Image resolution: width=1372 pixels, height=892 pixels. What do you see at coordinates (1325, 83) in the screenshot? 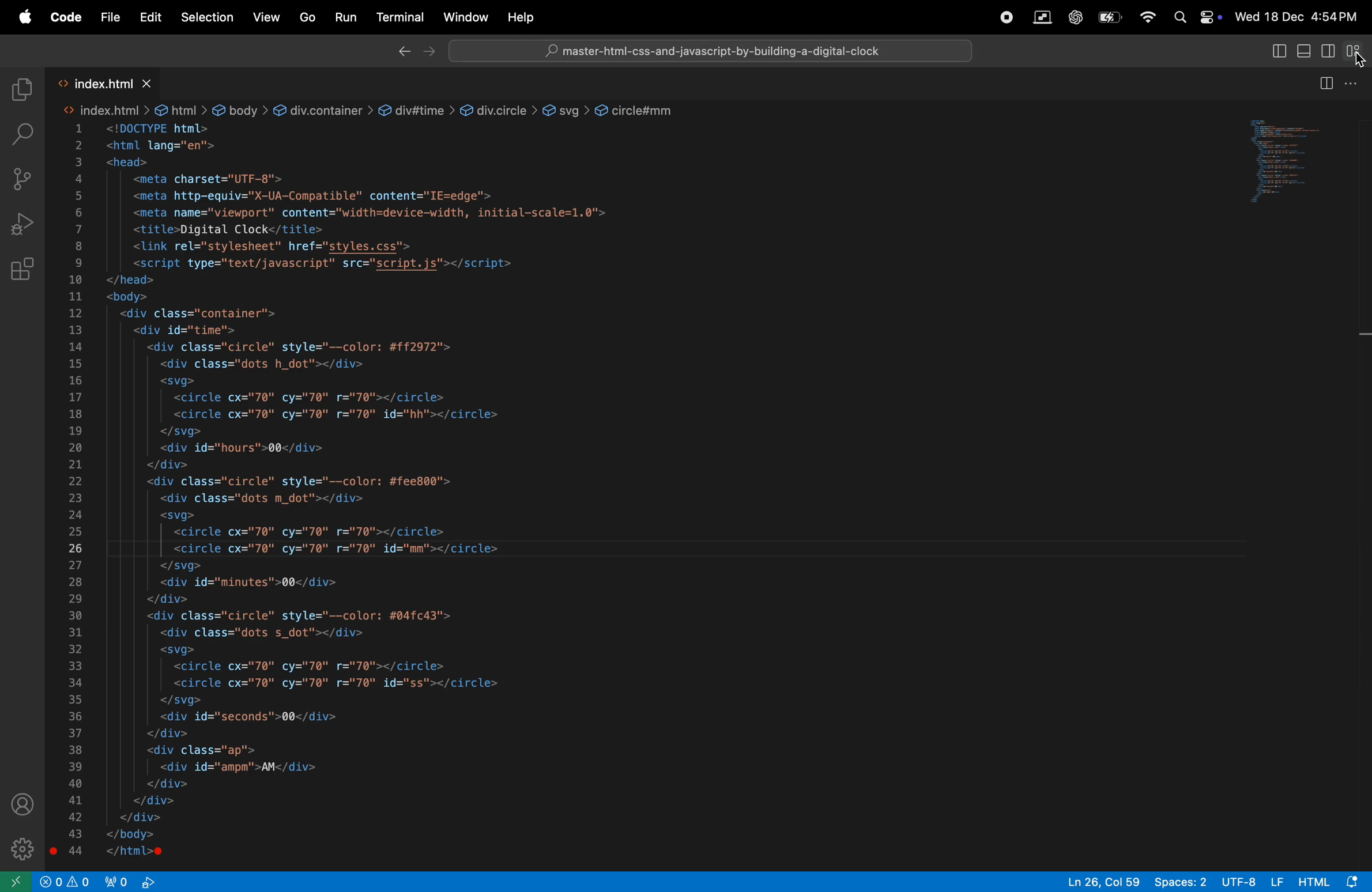
I see `split editor` at bounding box center [1325, 83].